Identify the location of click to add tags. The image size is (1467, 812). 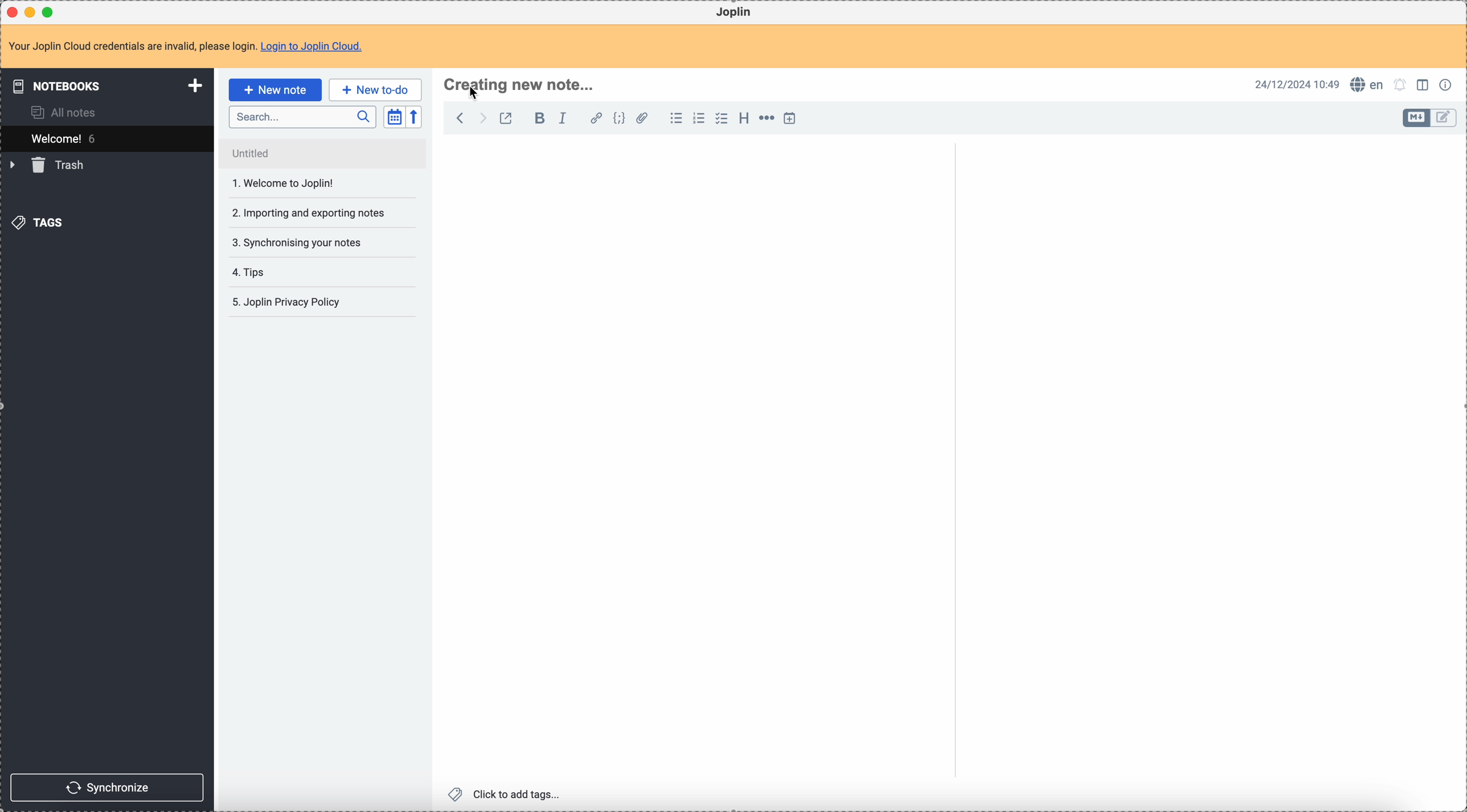
(505, 794).